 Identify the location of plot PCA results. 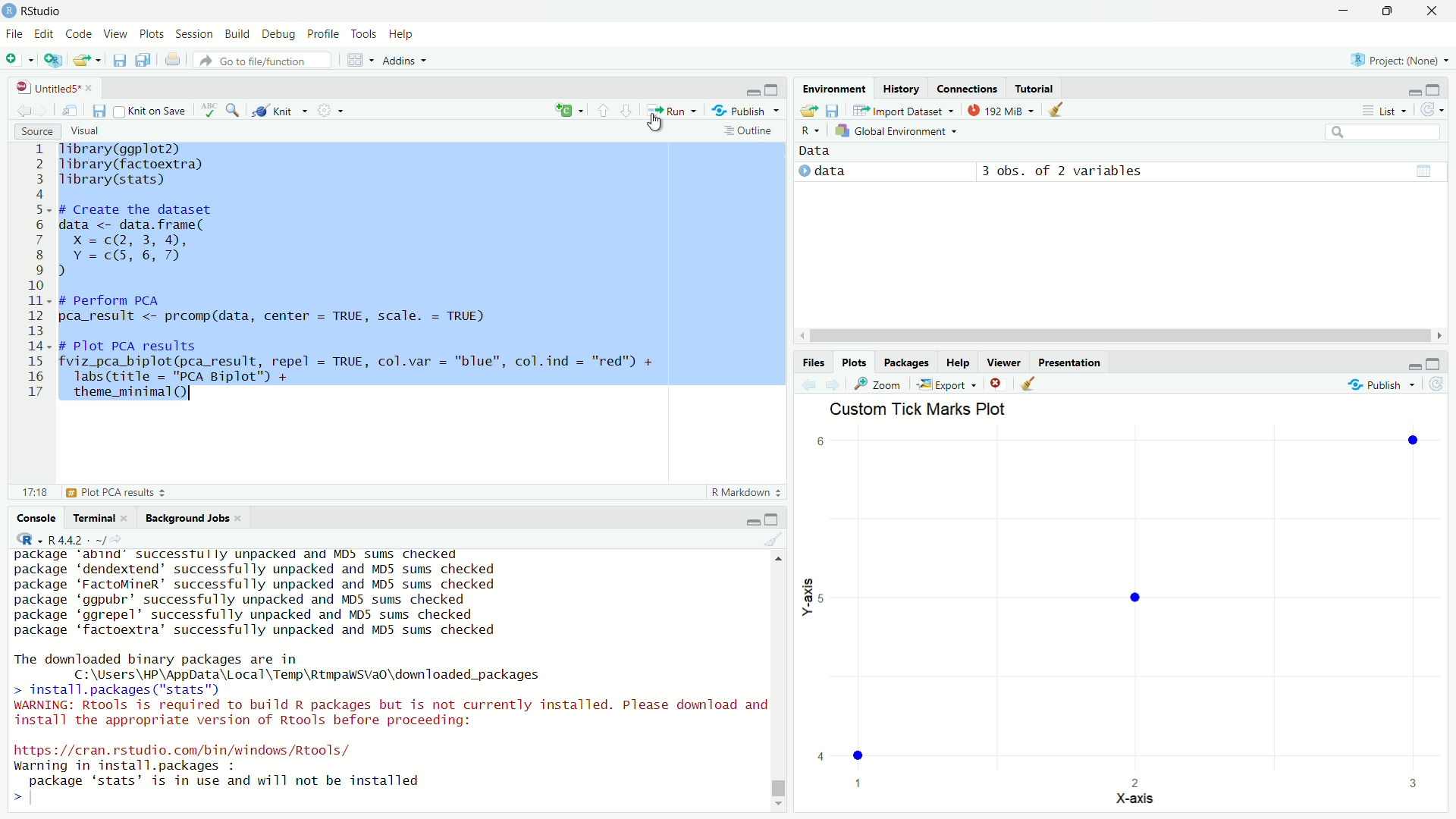
(89, 492).